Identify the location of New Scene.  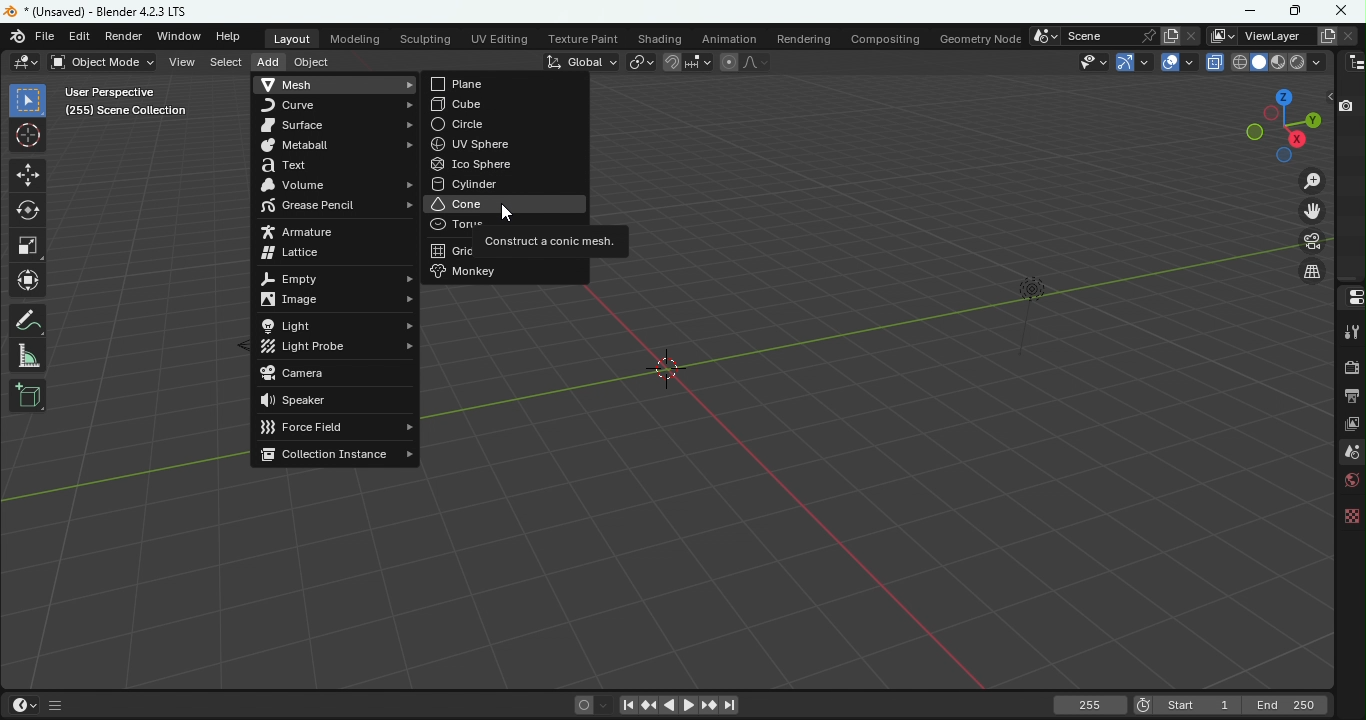
(1170, 35).